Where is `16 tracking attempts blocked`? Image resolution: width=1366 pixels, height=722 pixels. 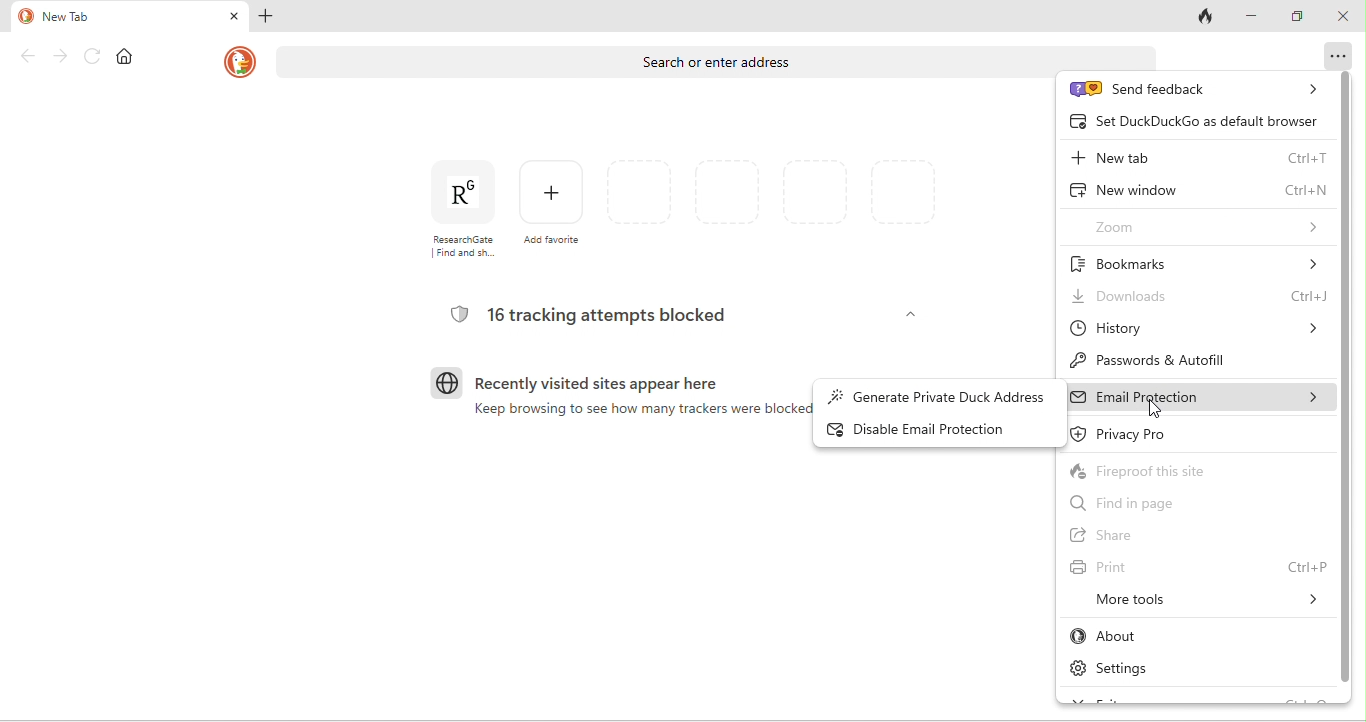
16 tracking attempts blocked is located at coordinates (594, 315).